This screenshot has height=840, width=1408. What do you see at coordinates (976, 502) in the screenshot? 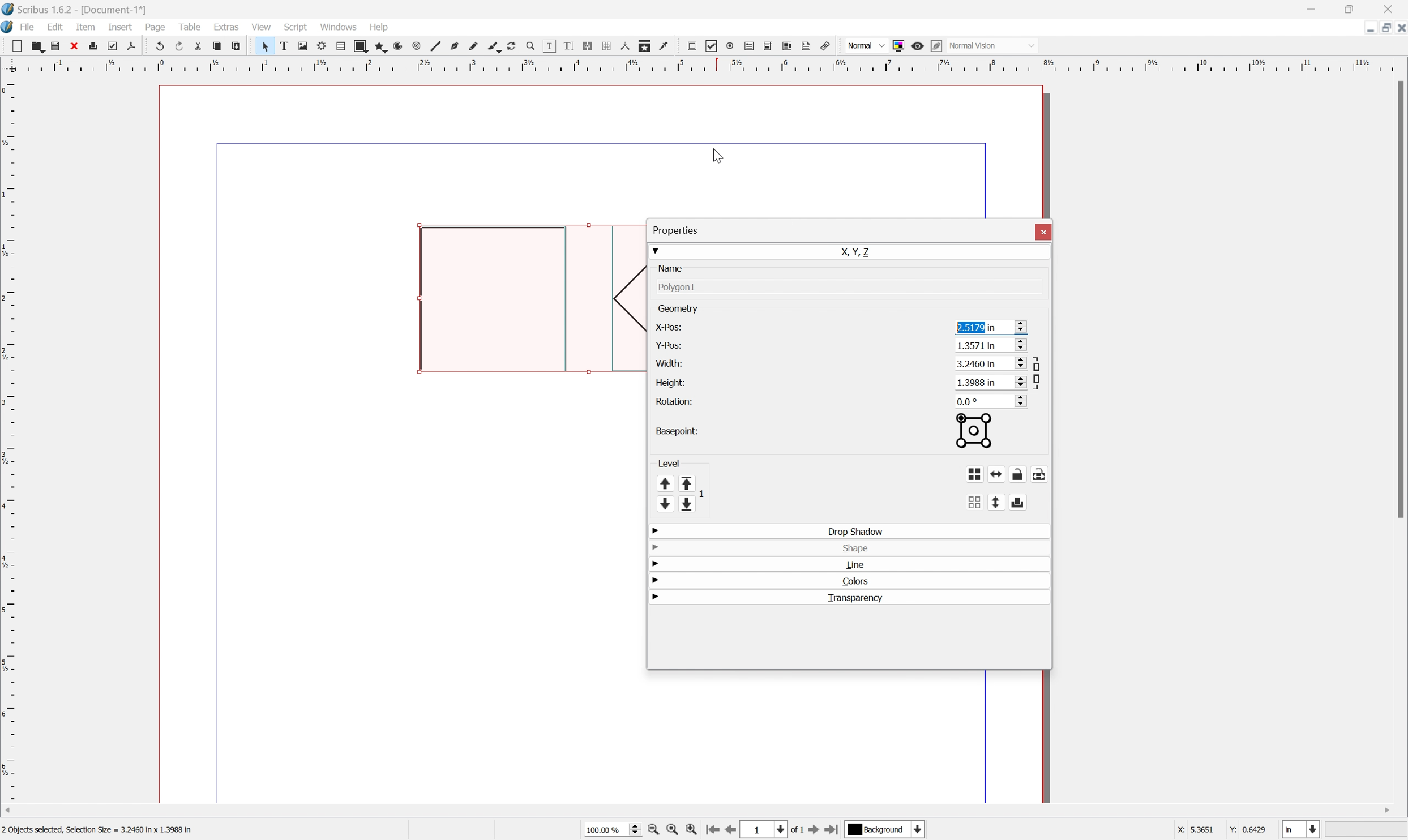
I see `ungroup object` at bounding box center [976, 502].